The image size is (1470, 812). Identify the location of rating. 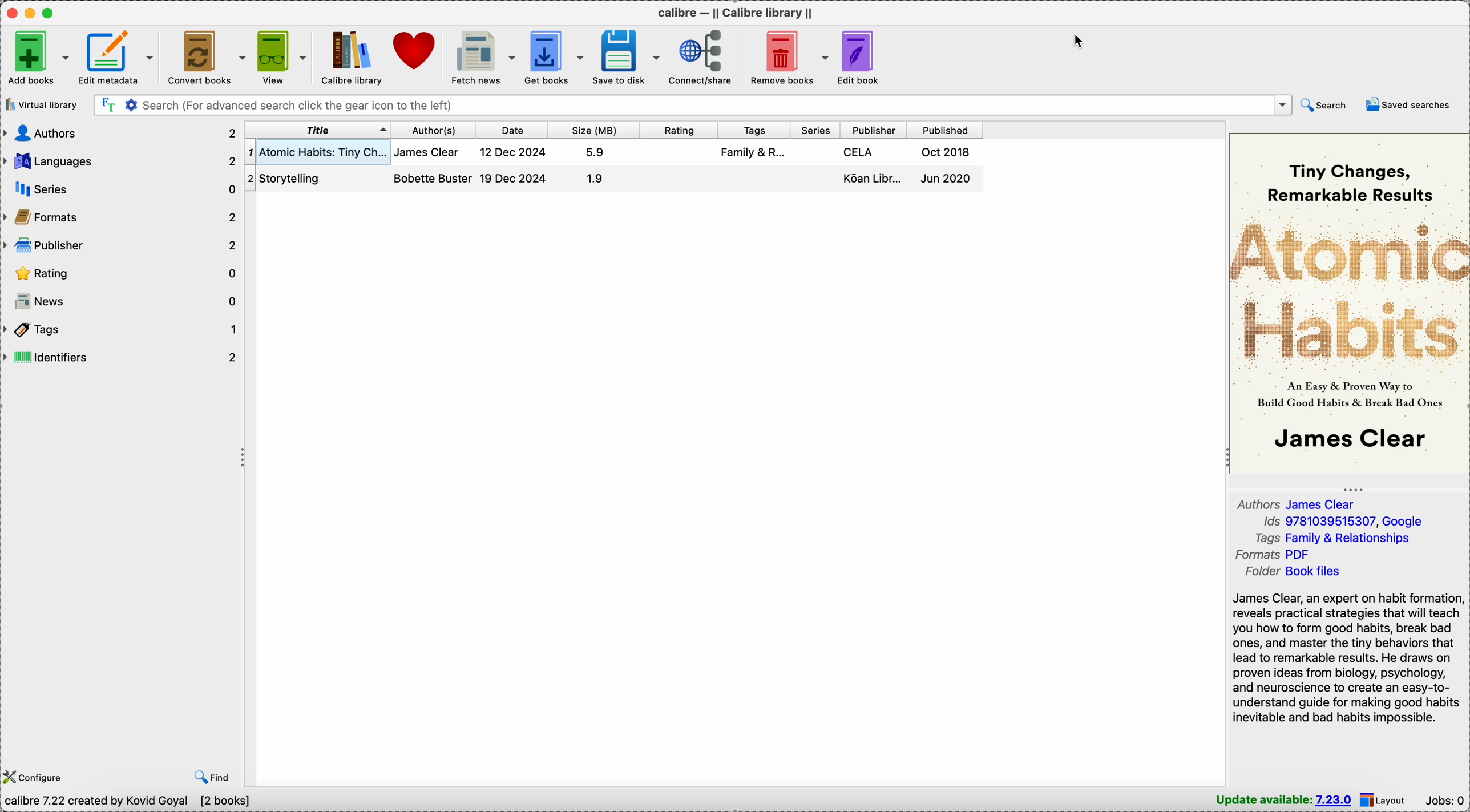
(675, 130).